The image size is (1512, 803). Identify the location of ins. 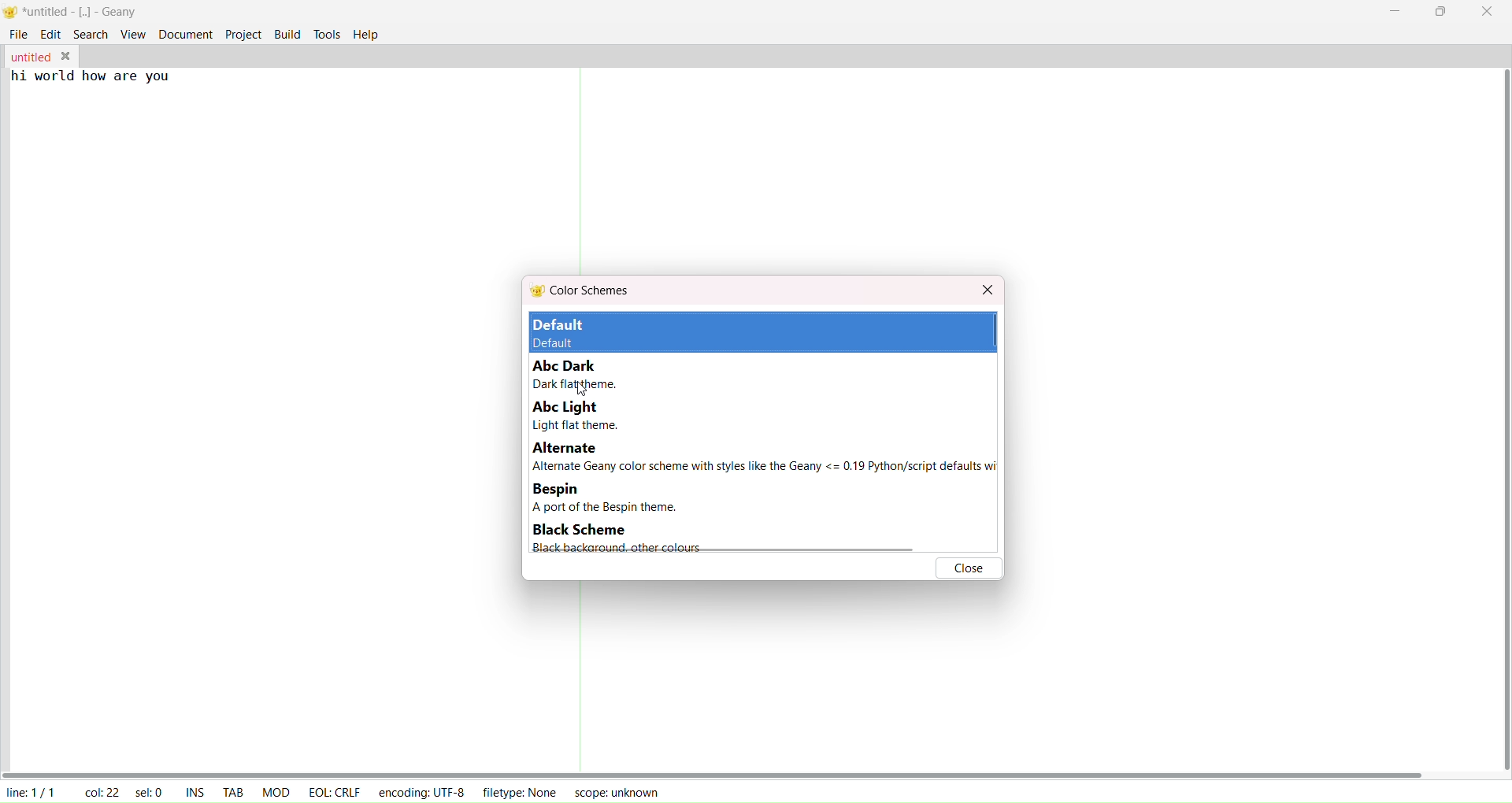
(196, 790).